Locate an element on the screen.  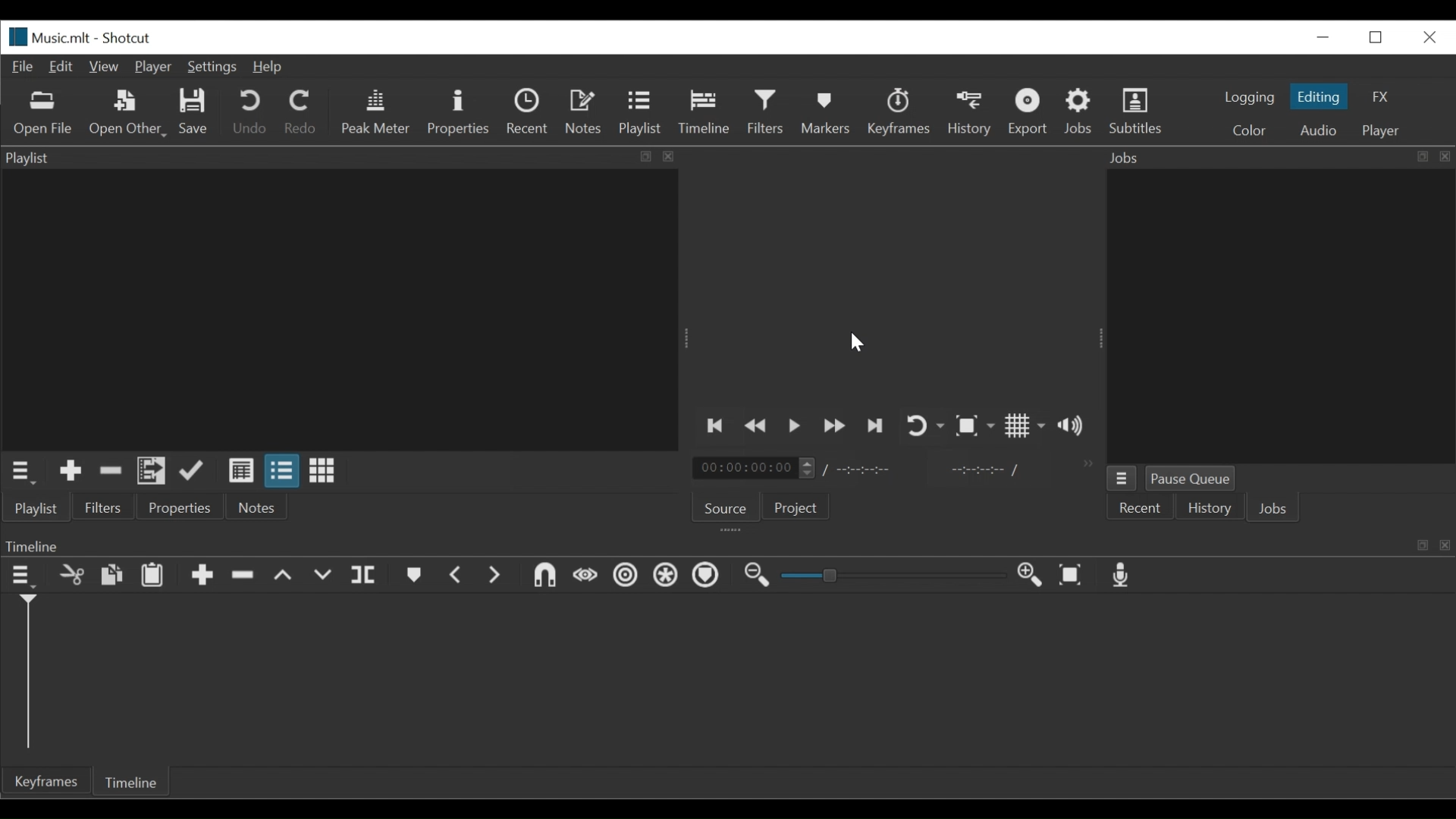
Toggle play or pause is located at coordinates (795, 428).